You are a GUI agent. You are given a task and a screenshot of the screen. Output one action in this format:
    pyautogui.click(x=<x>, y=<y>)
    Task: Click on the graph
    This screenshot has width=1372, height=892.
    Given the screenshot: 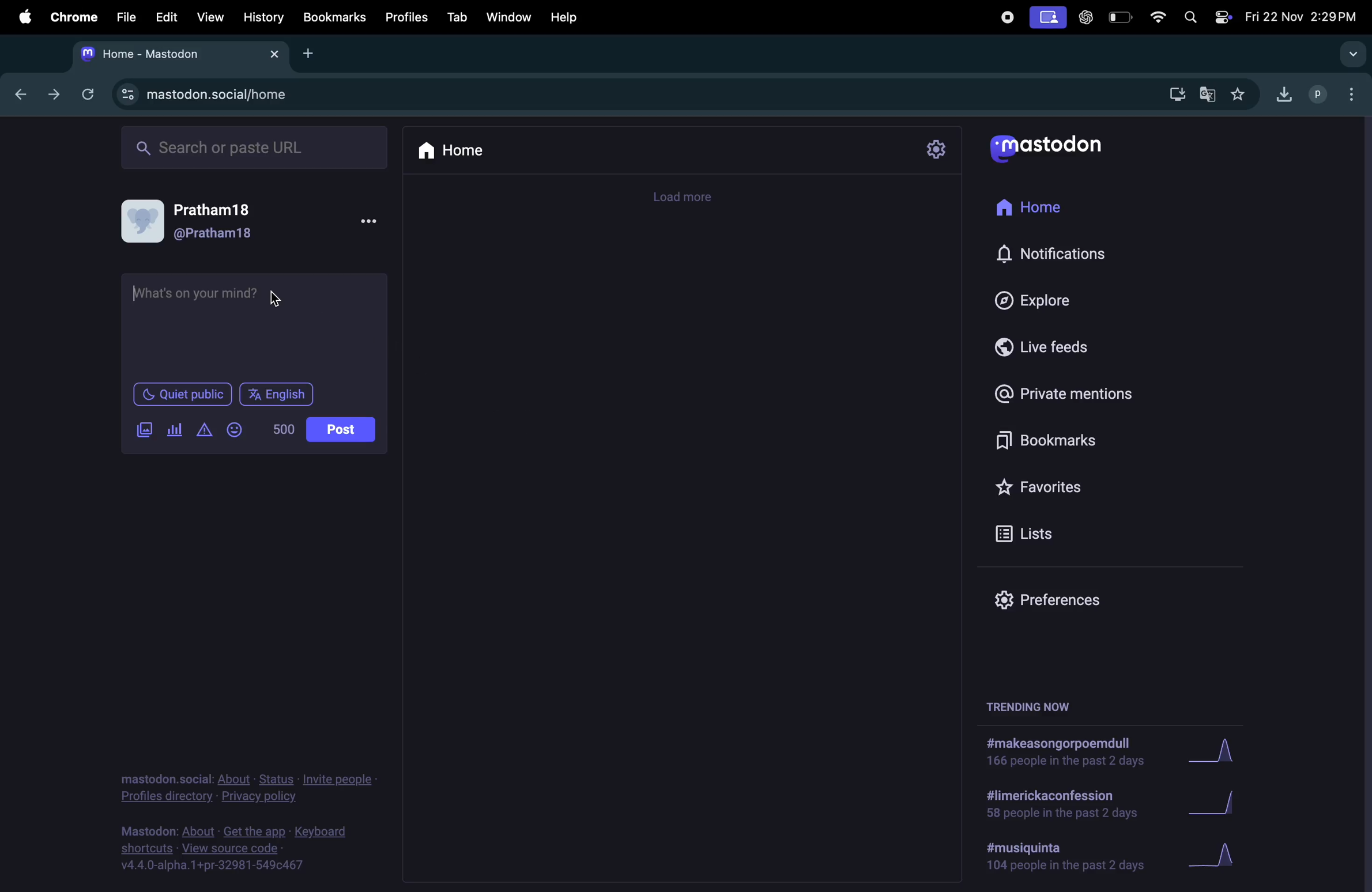 What is the action you would take?
    pyautogui.click(x=1223, y=750)
    